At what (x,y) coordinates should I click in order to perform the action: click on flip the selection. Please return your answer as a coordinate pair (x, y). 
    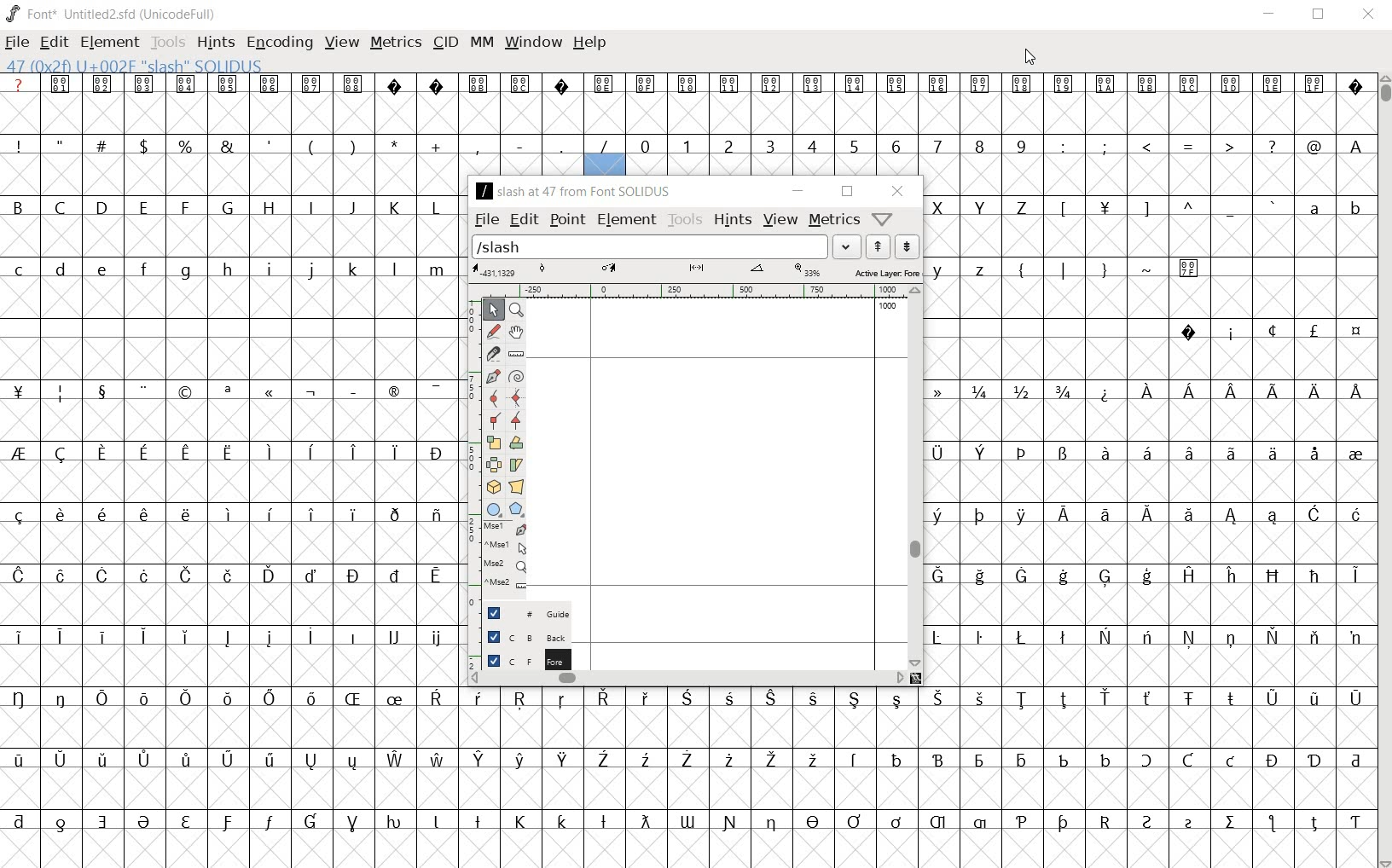
    Looking at the image, I should click on (493, 466).